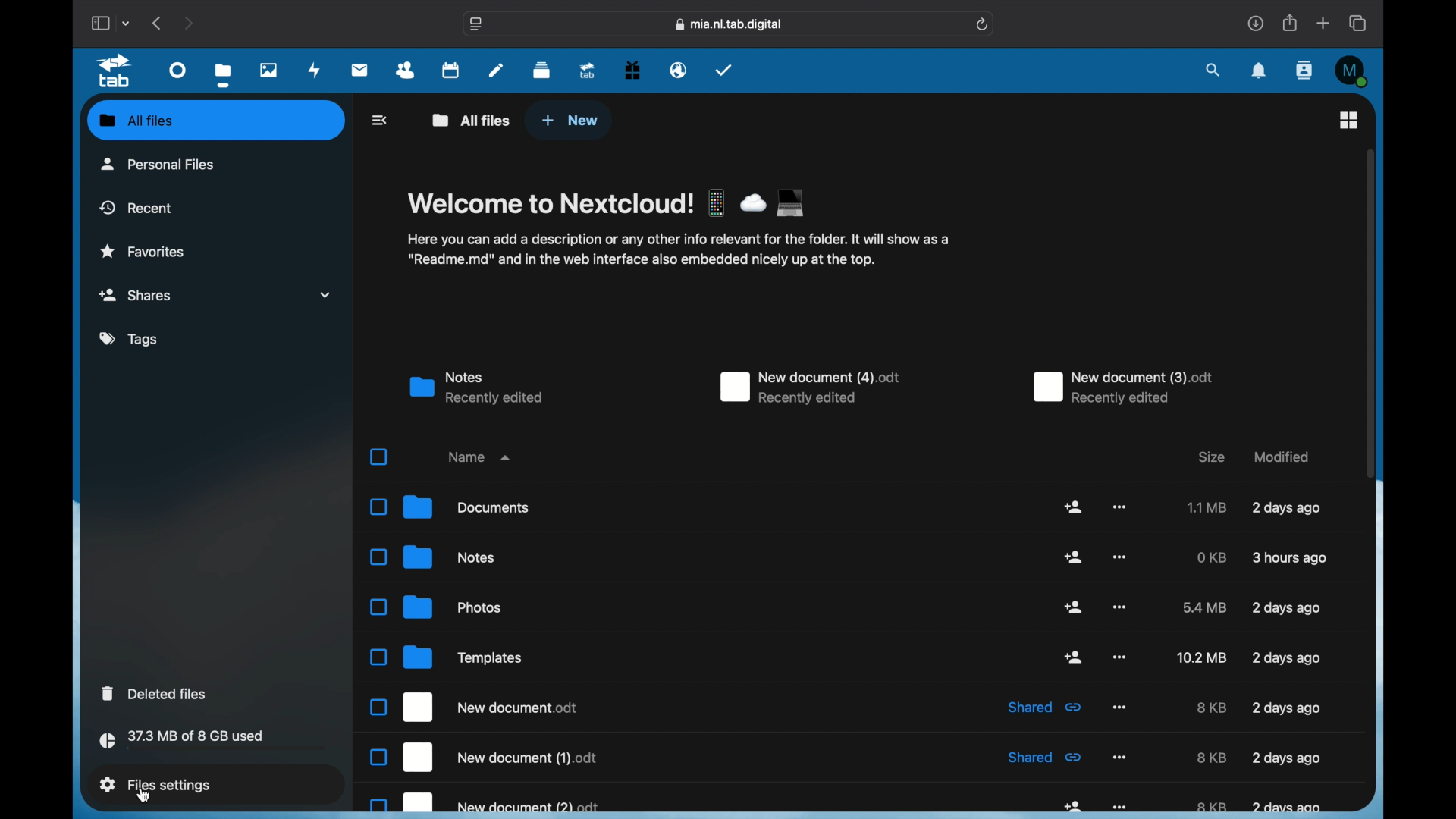 The width and height of the screenshot is (1456, 819). Describe the element at coordinates (136, 121) in the screenshot. I see `all fiels` at that location.